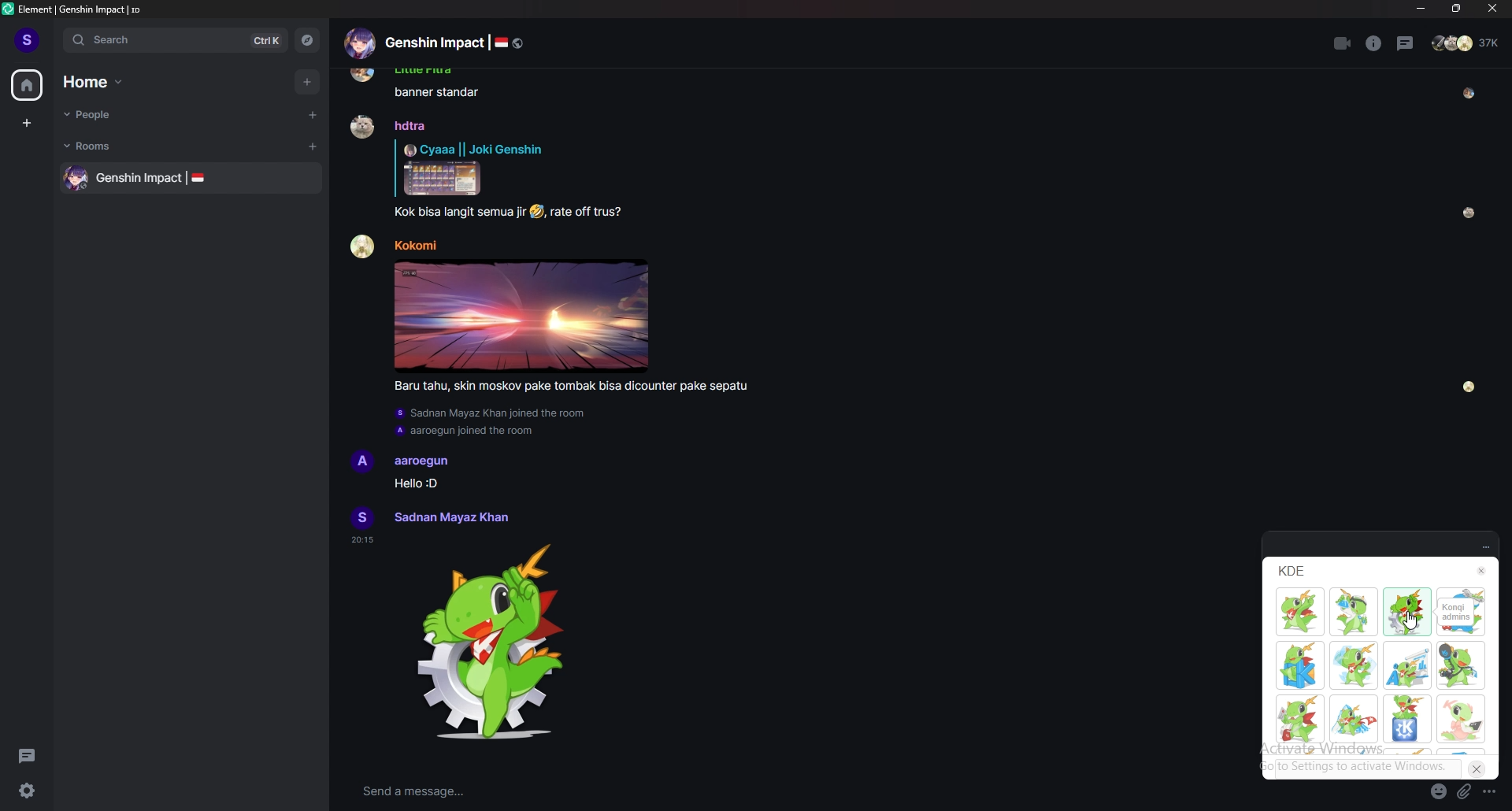 The width and height of the screenshot is (1512, 811). Describe the element at coordinates (1456, 612) in the screenshot. I see `Kongi admins` at that location.